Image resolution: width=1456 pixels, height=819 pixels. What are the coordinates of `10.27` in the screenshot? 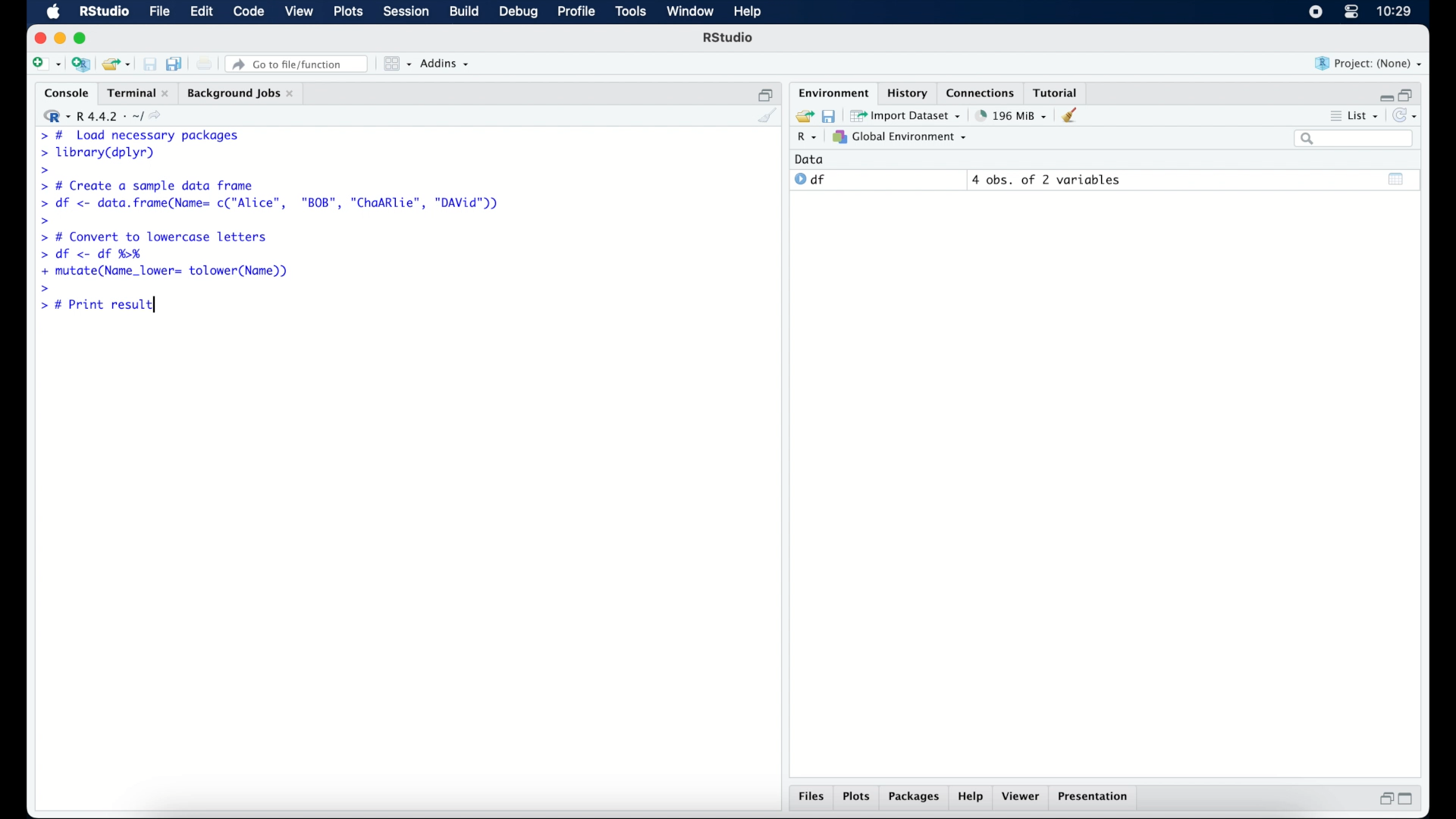 It's located at (1394, 11).